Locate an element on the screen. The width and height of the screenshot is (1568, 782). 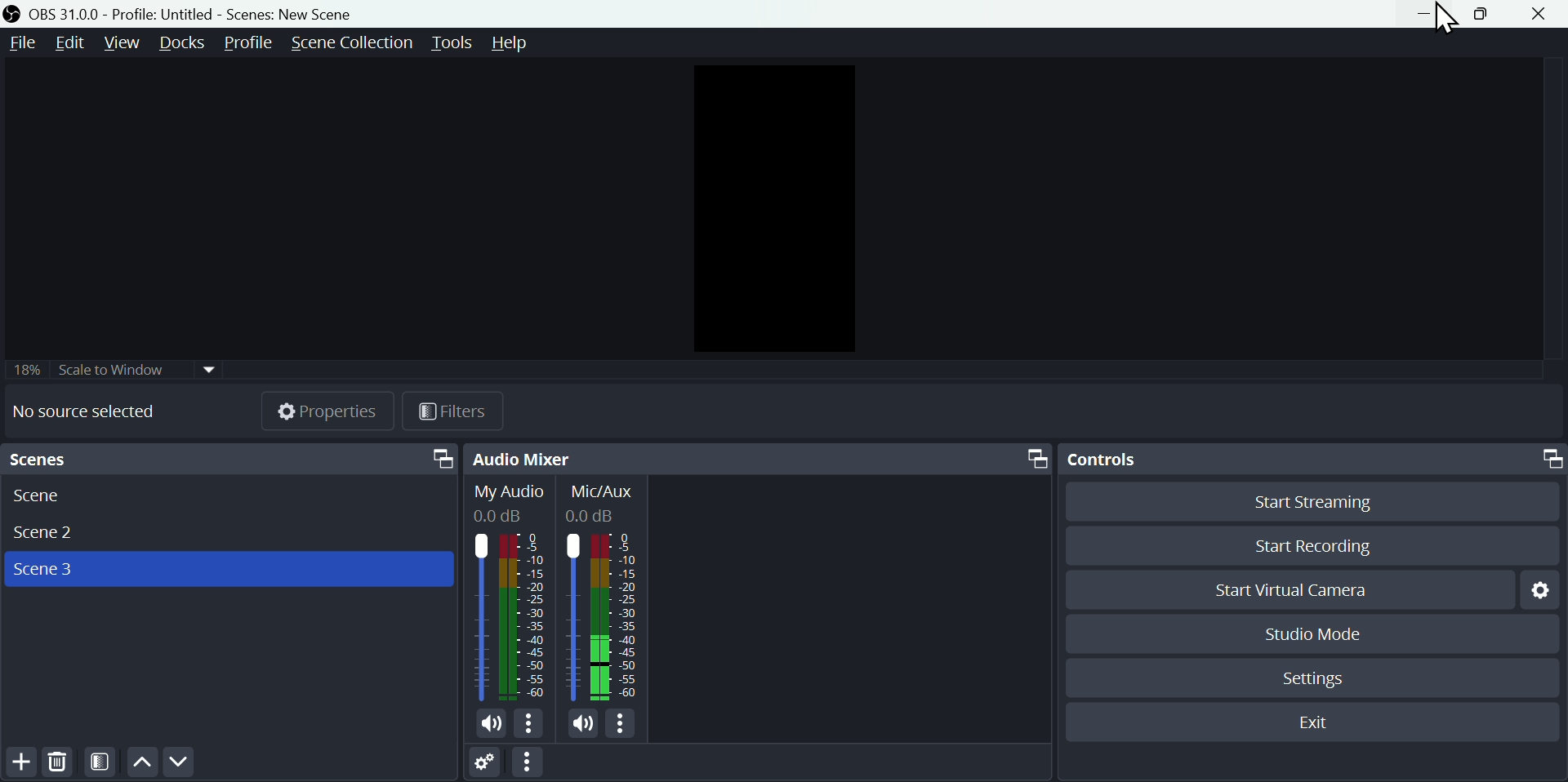
More options is located at coordinates (531, 725).